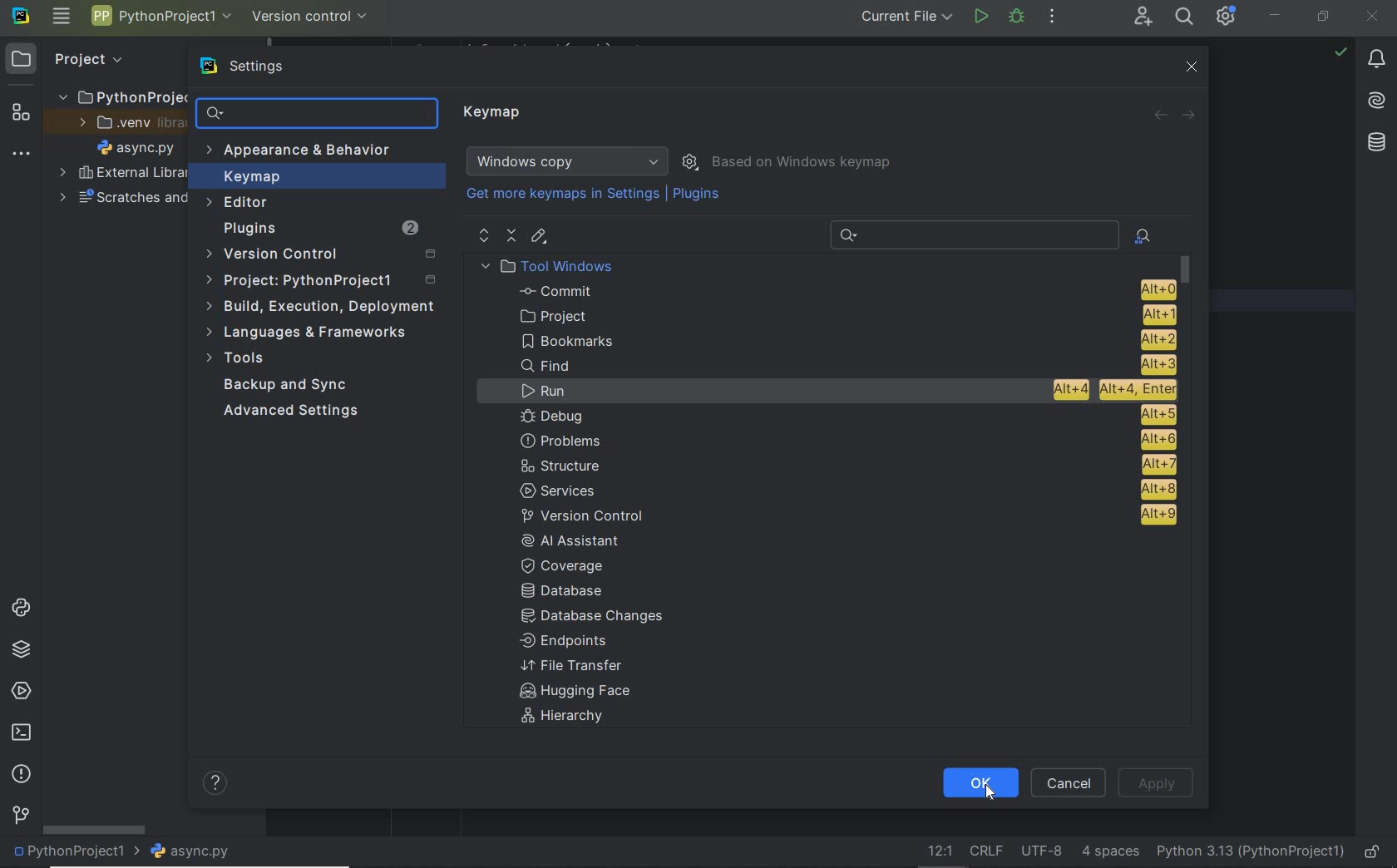 This screenshot has height=868, width=1397. Describe the element at coordinates (21, 816) in the screenshot. I see `version control` at that location.